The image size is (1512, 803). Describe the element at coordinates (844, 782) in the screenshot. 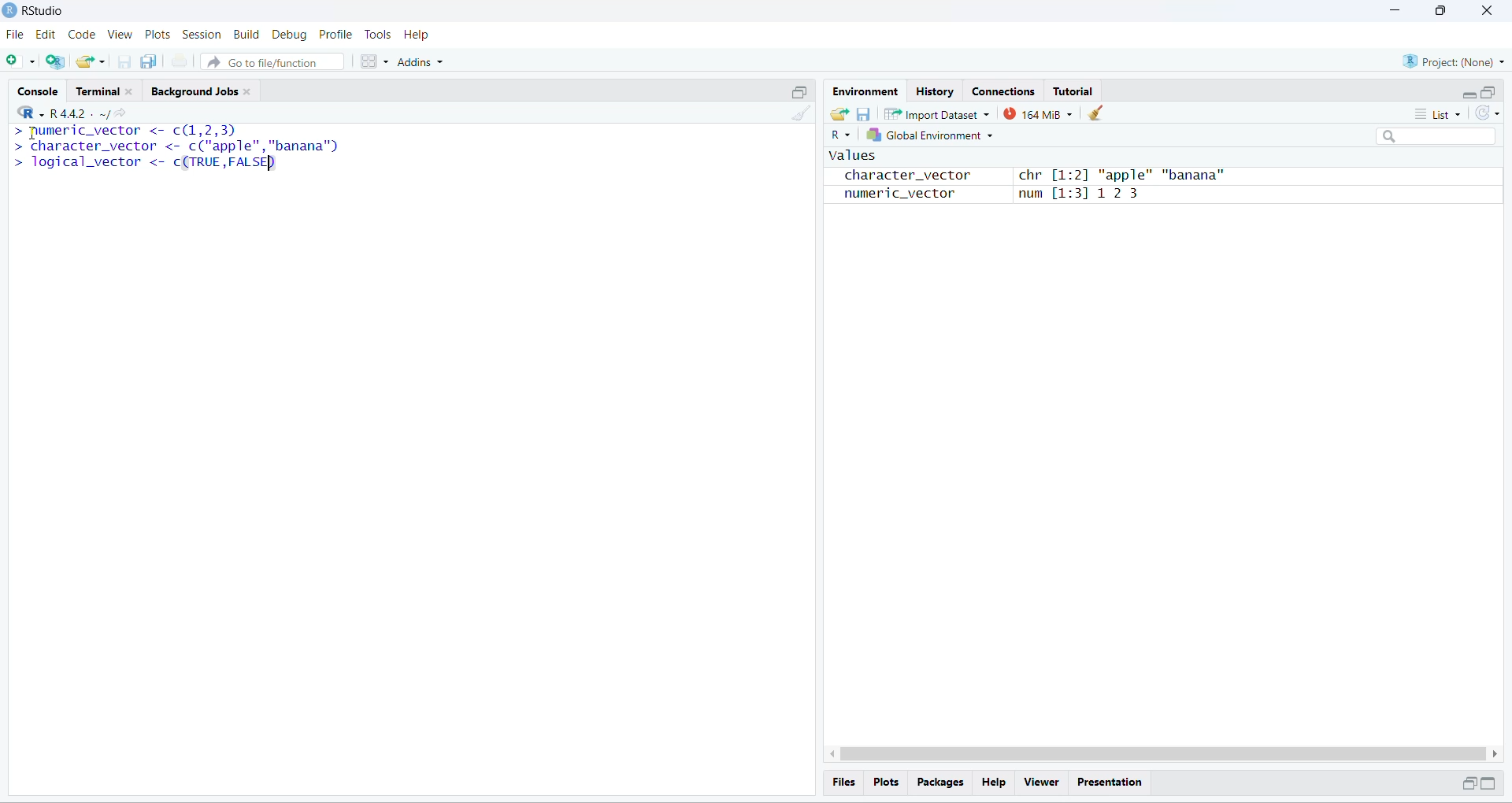

I see `Files` at that location.